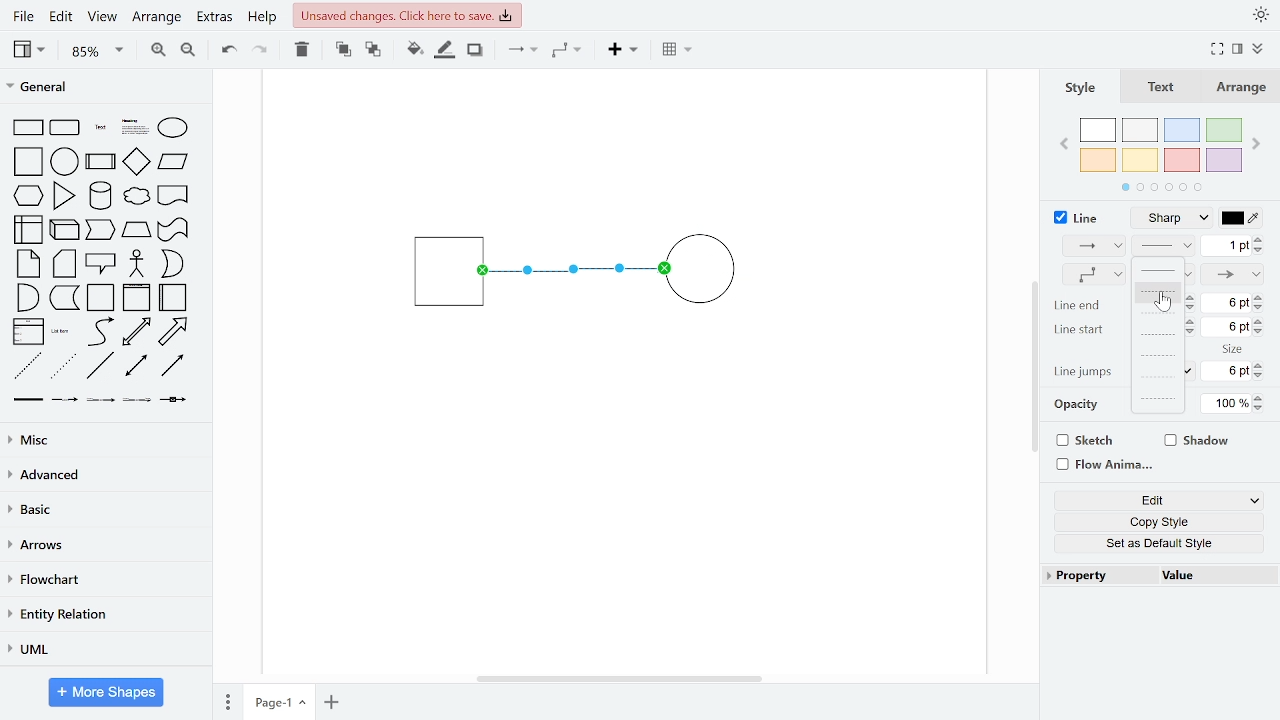  Describe the element at coordinates (279, 701) in the screenshot. I see `current page` at that location.